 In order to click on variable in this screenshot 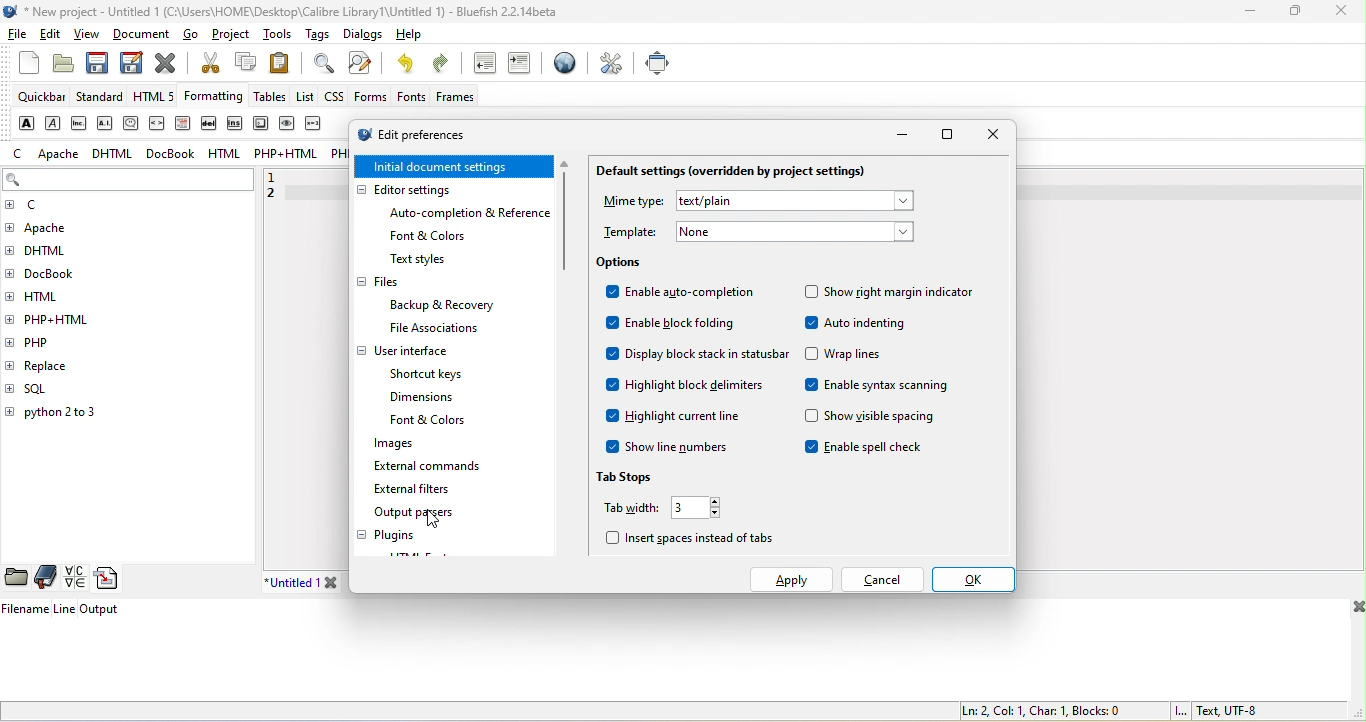, I will do `click(316, 127)`.